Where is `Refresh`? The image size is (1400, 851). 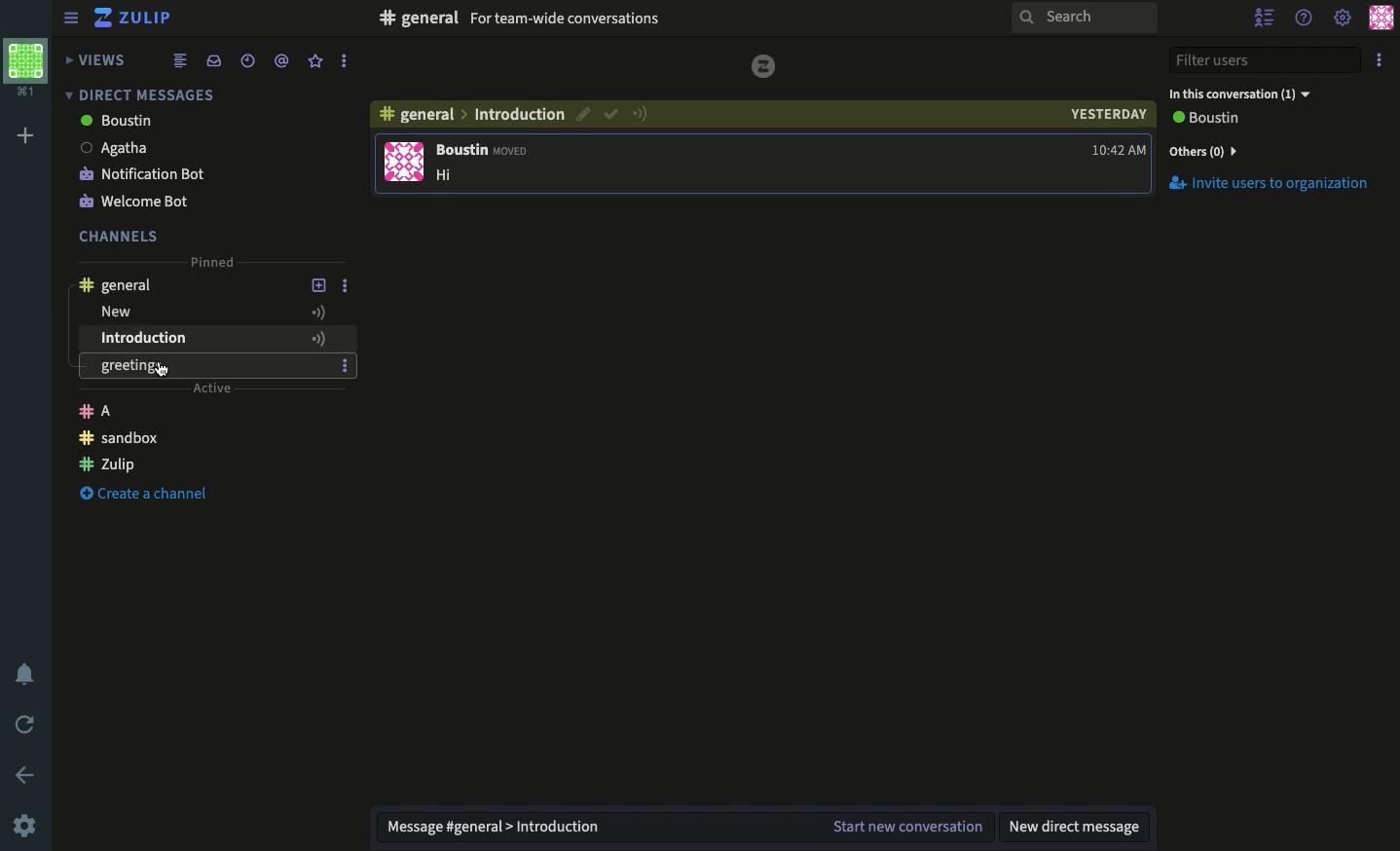 Refresh is located at coordinates (26, 722).